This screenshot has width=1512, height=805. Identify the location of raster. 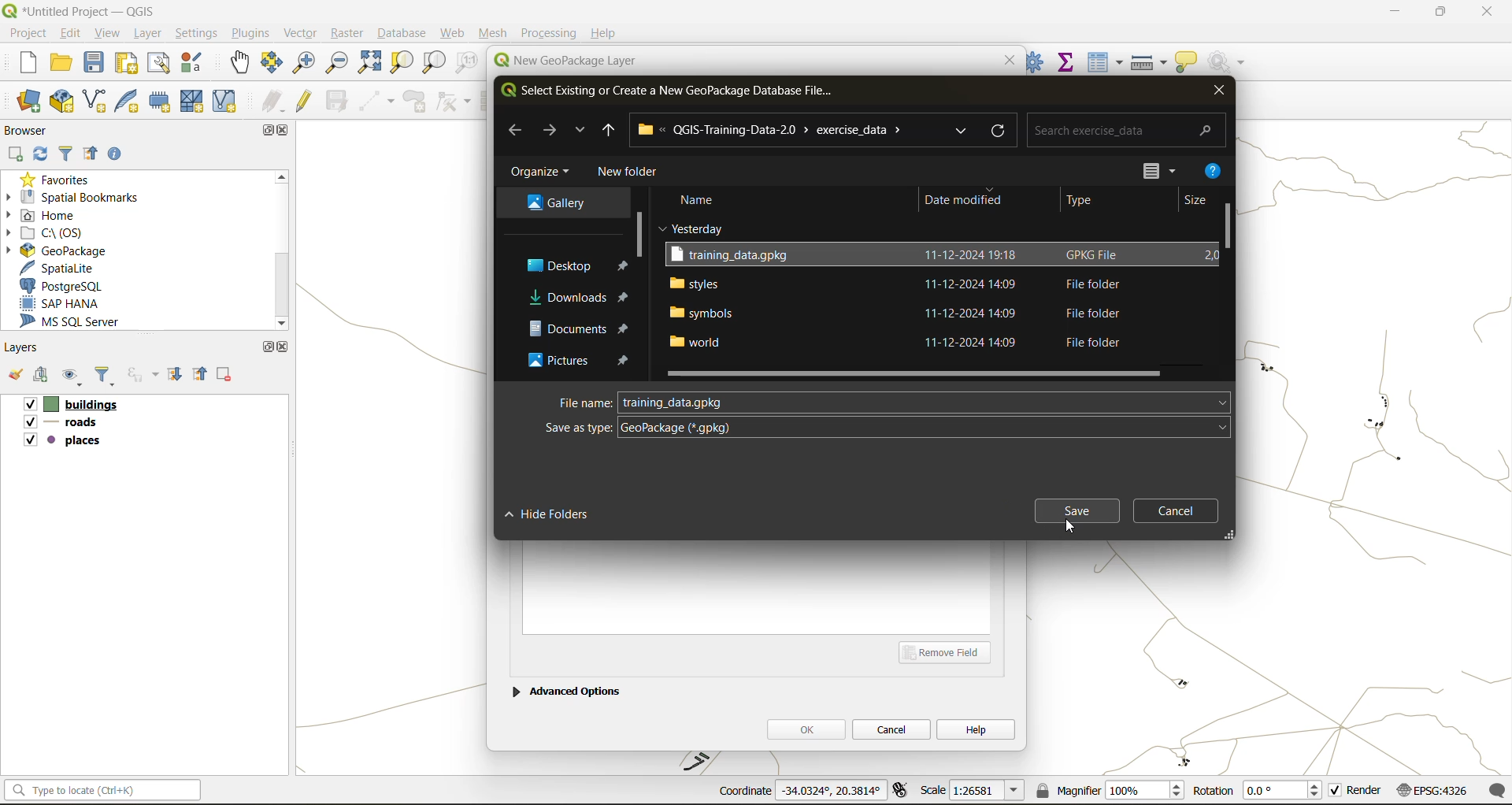
(347, 34).